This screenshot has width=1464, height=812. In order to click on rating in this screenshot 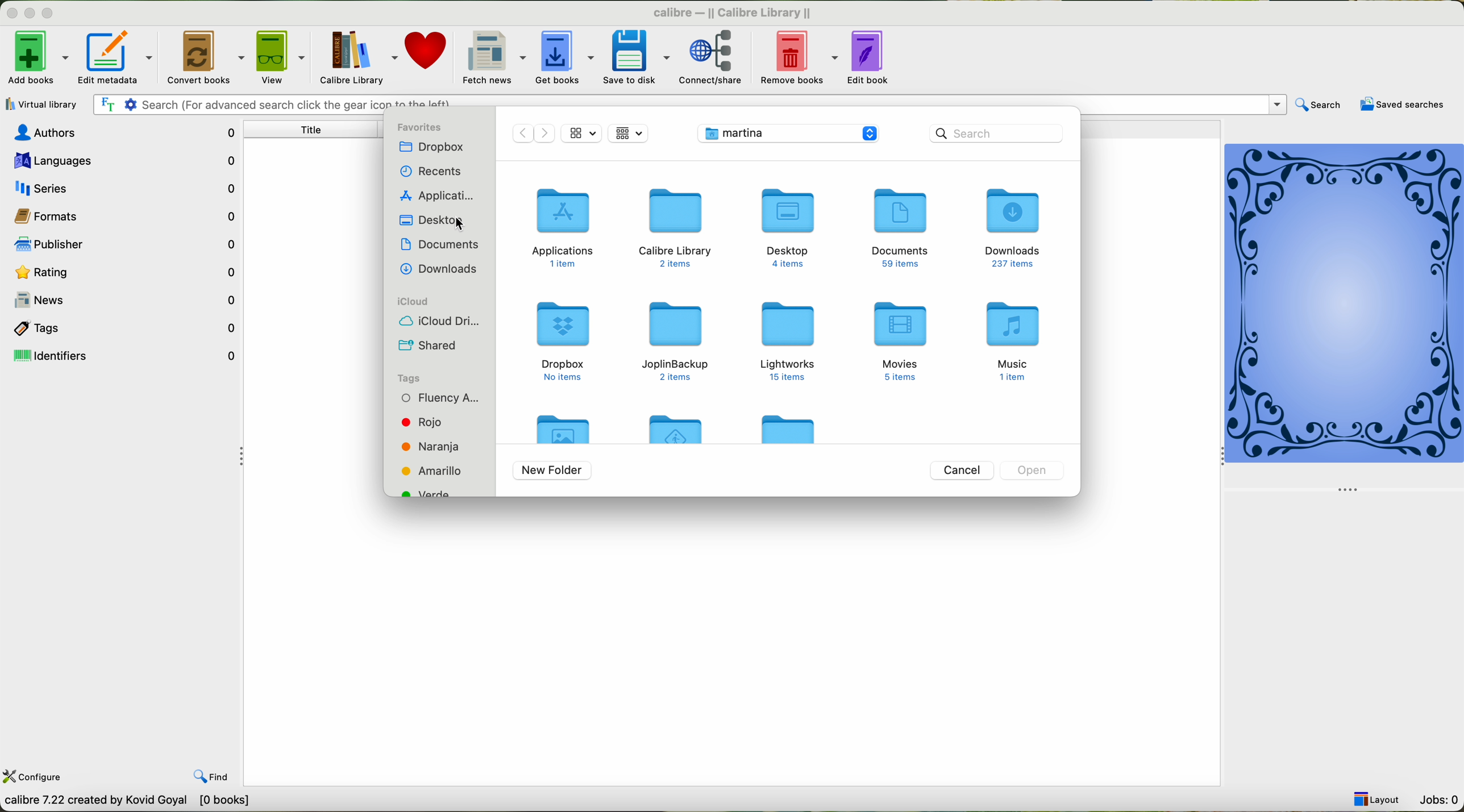, I will do `click(123, 272)`.